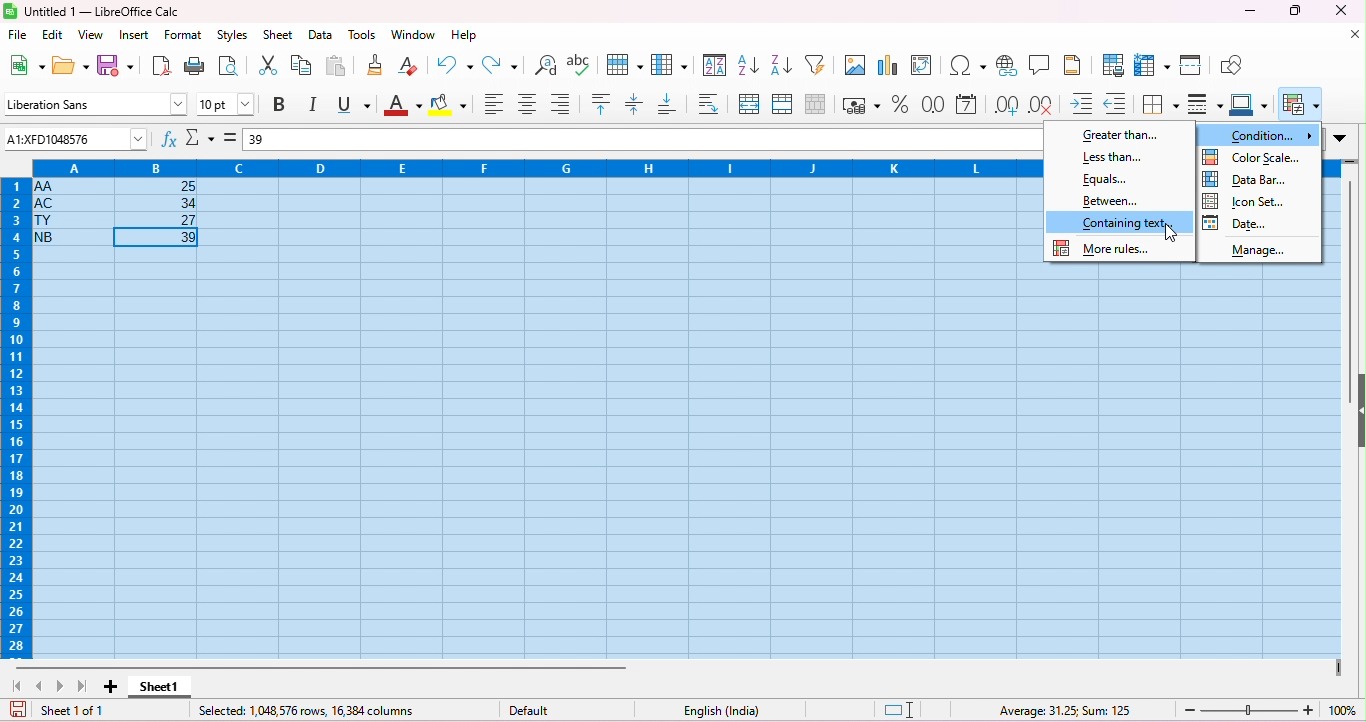 The image size is (1366, 722). Describe the element at coordinates (26, 64) in the screenshot. I see `new` at that location.